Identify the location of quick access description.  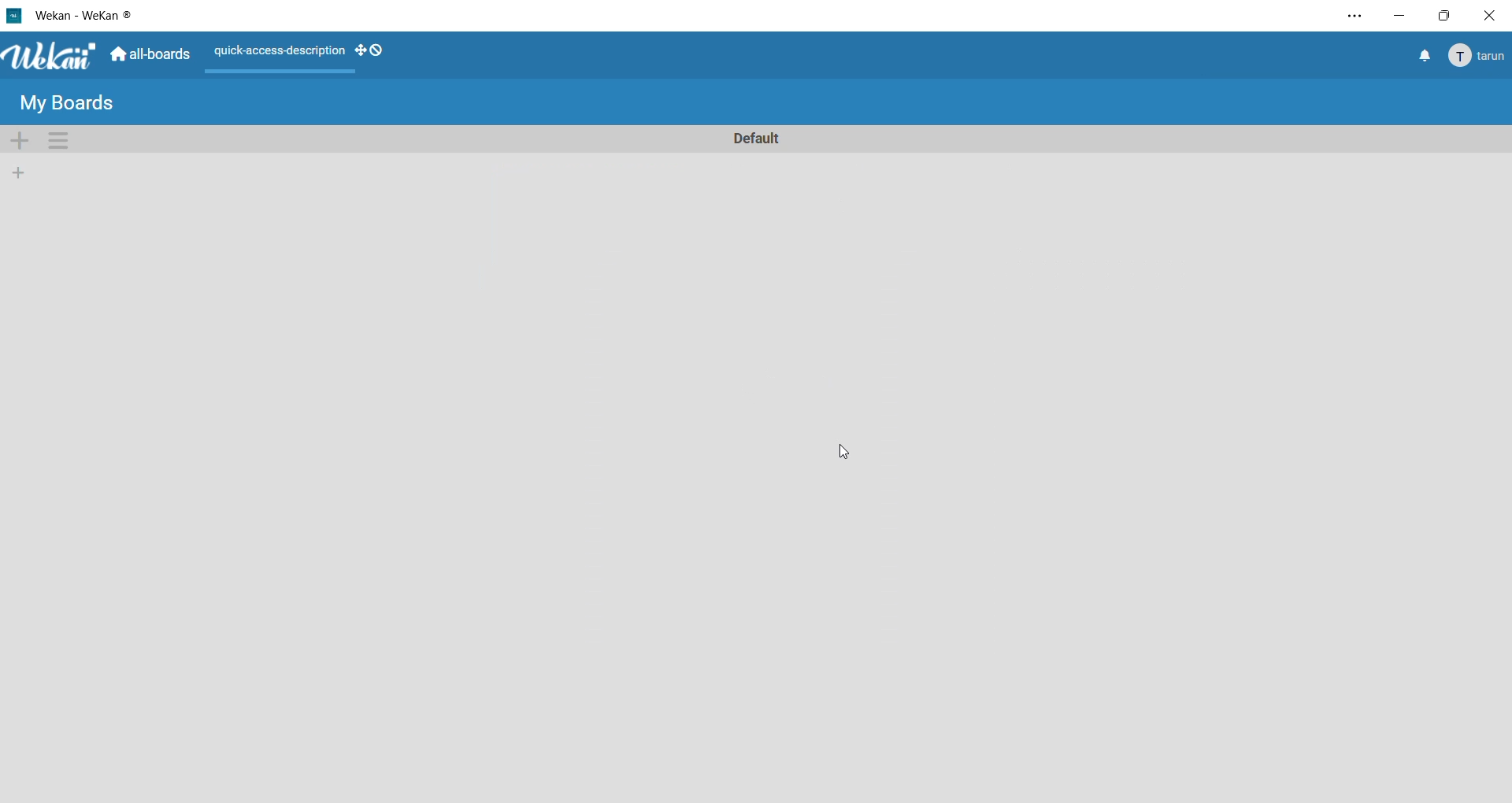
(278, 53).